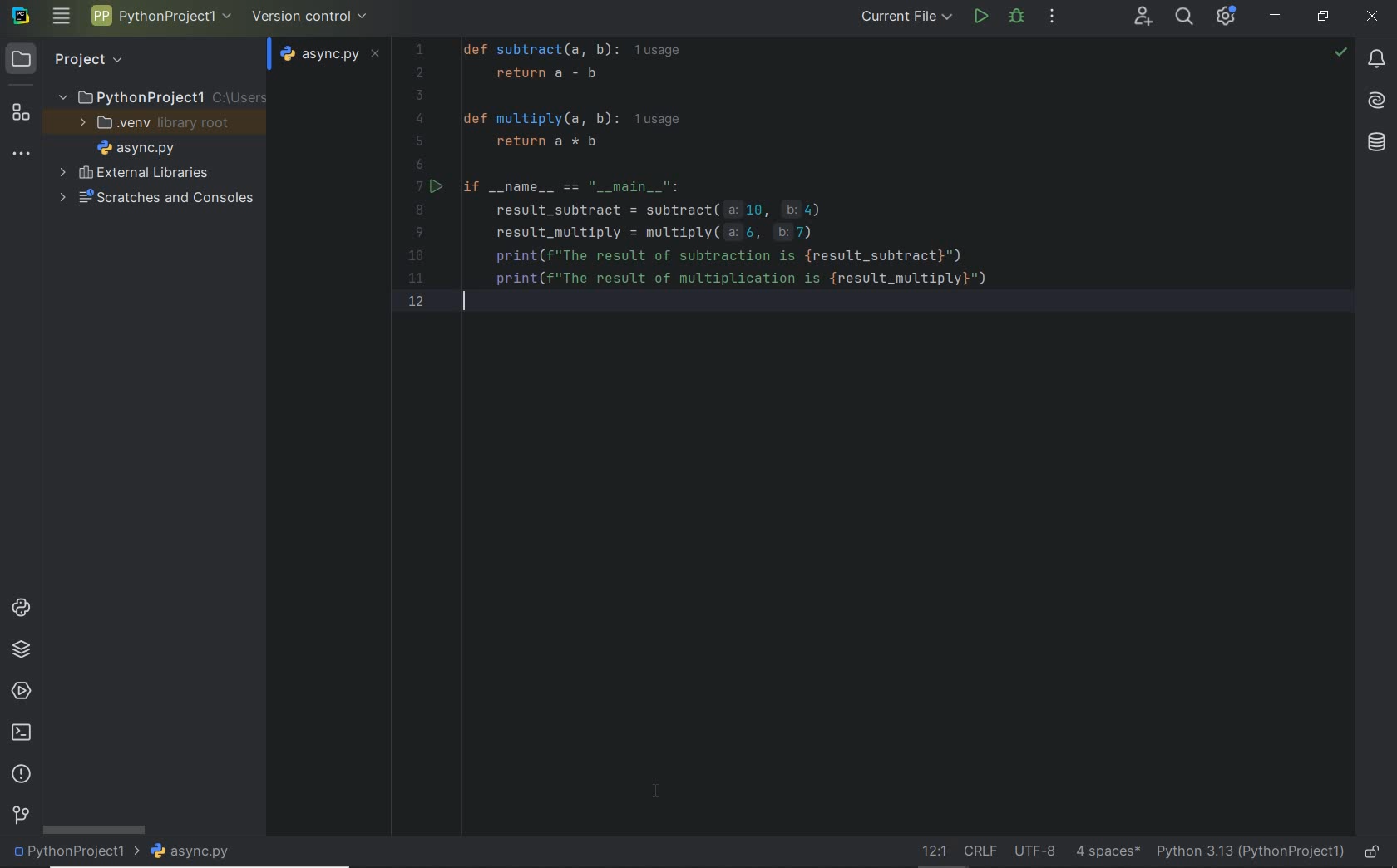 Image resolution: width=1397 pixels, height=868 pixels. What do you see at coordinates (195, 852) in the screenshot?
I see `file name` at bounding box center [195, 852].